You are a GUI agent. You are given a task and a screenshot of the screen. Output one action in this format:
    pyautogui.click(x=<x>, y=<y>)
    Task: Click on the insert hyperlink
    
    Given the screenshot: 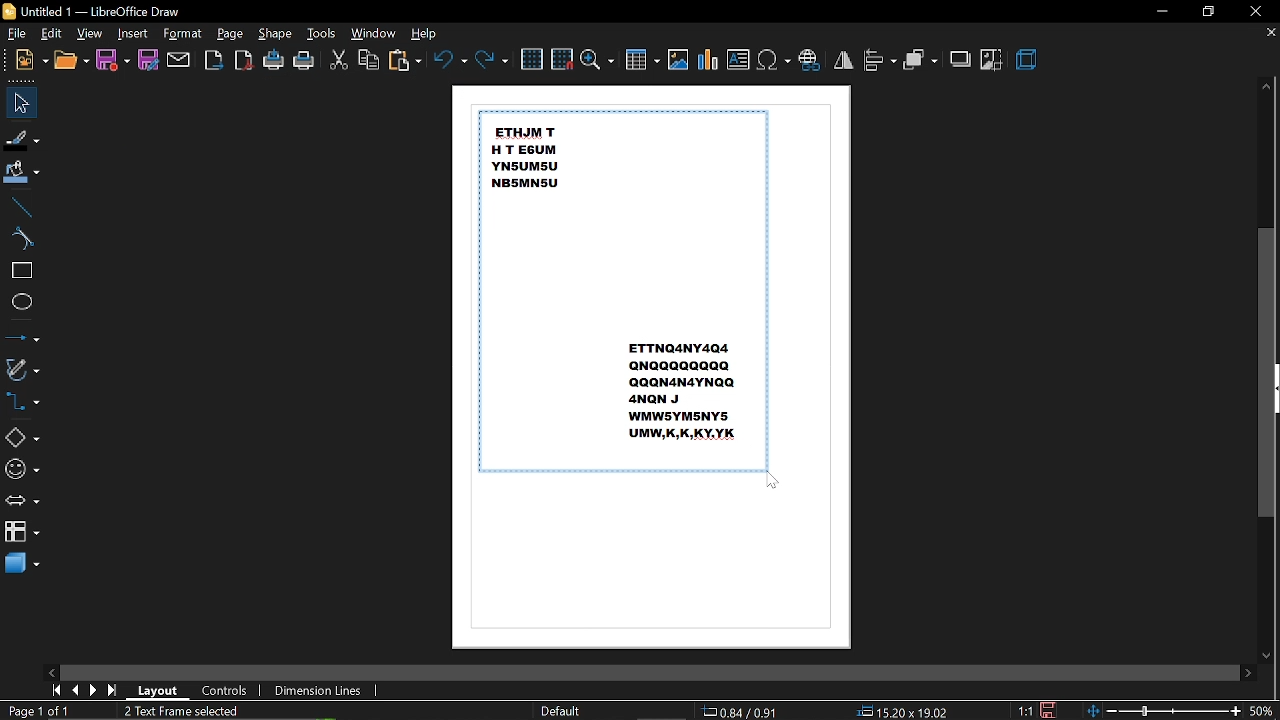 What is the action you would take?
    pyautogui.click(x=810, y=58)
    